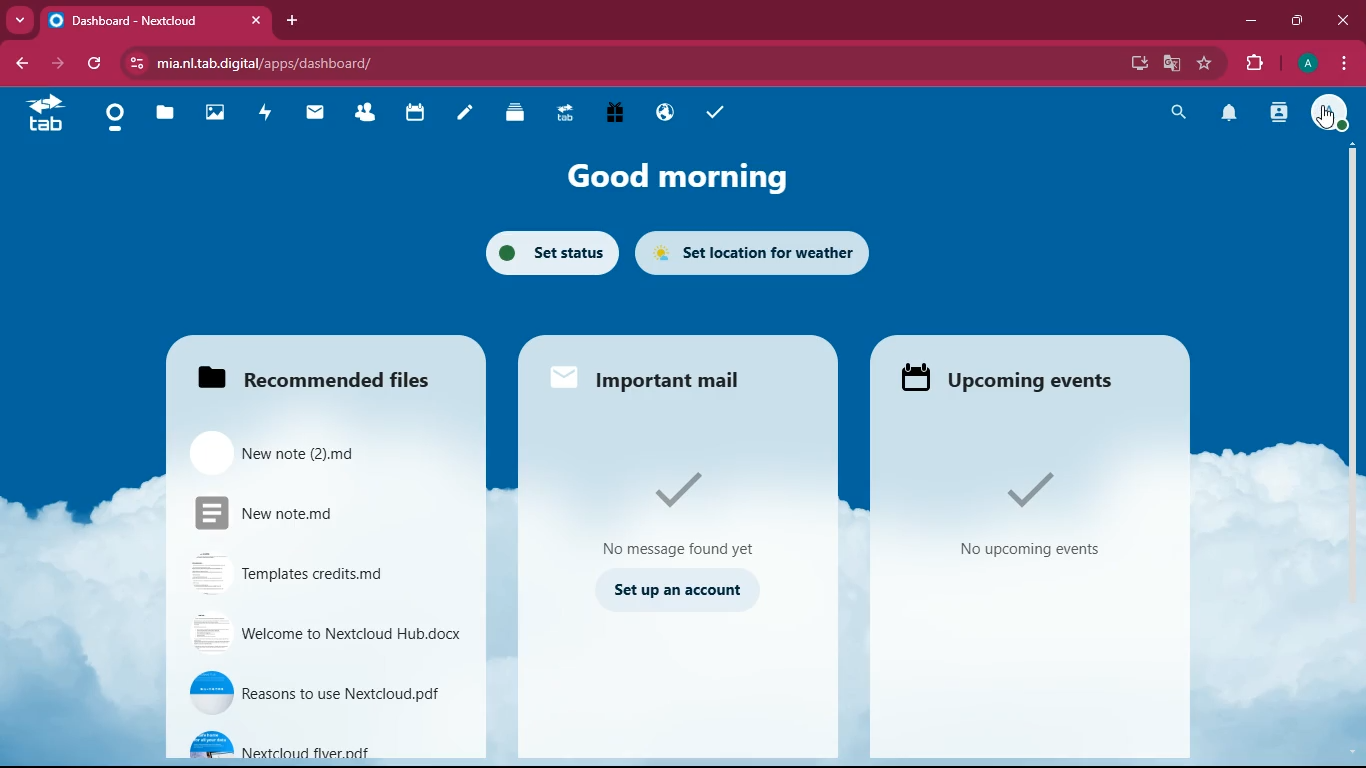 Image resolution: width=1366 pixels, height=768 pixels. What do you see at coordinates (55, 64) in the screenshot?
I see `forward` at bounding box center [55, 64].